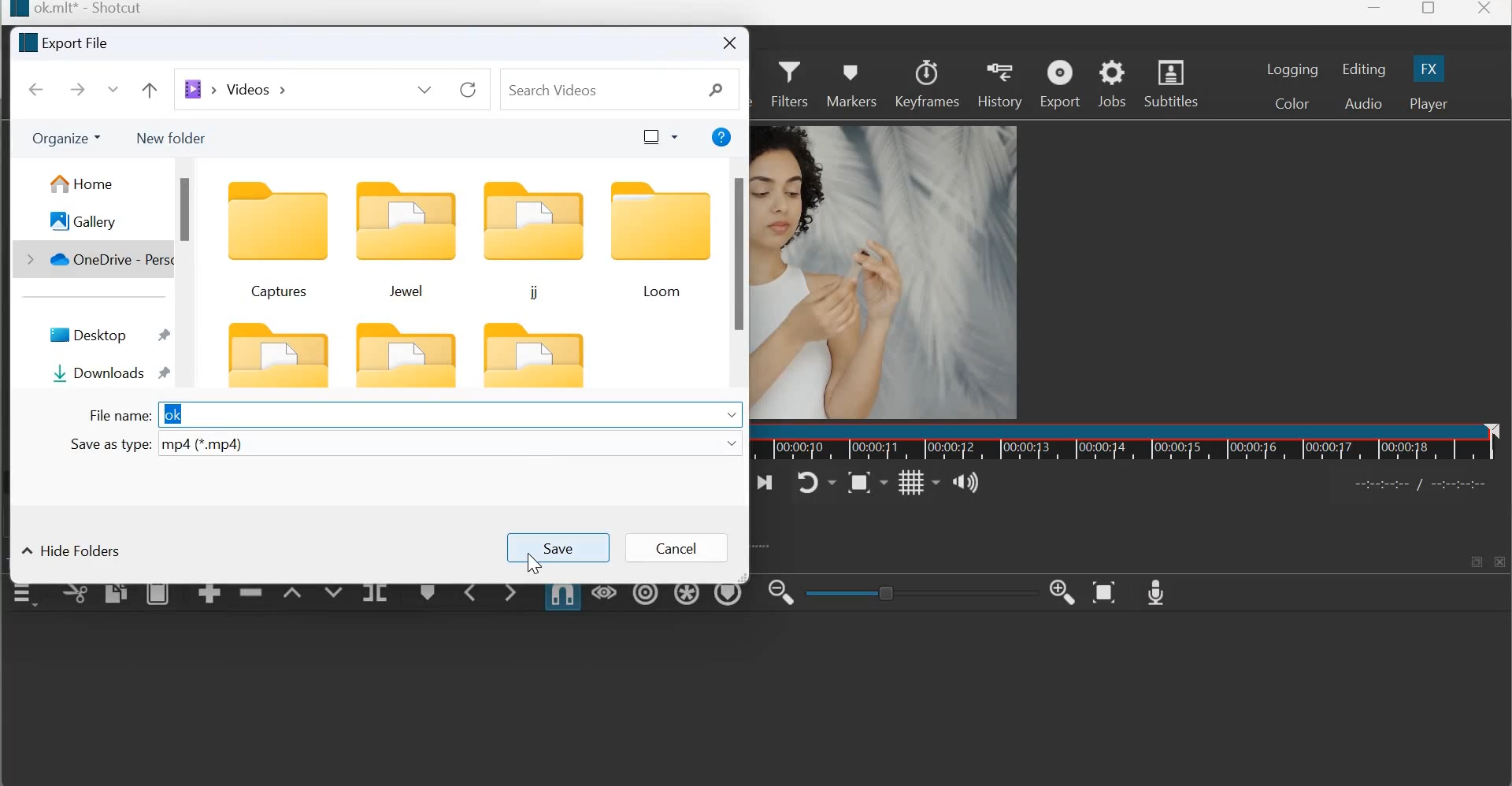 Image resolution: width=1512 pixels, height=786 pixels. I want to click on Ok, so click(173, 415).